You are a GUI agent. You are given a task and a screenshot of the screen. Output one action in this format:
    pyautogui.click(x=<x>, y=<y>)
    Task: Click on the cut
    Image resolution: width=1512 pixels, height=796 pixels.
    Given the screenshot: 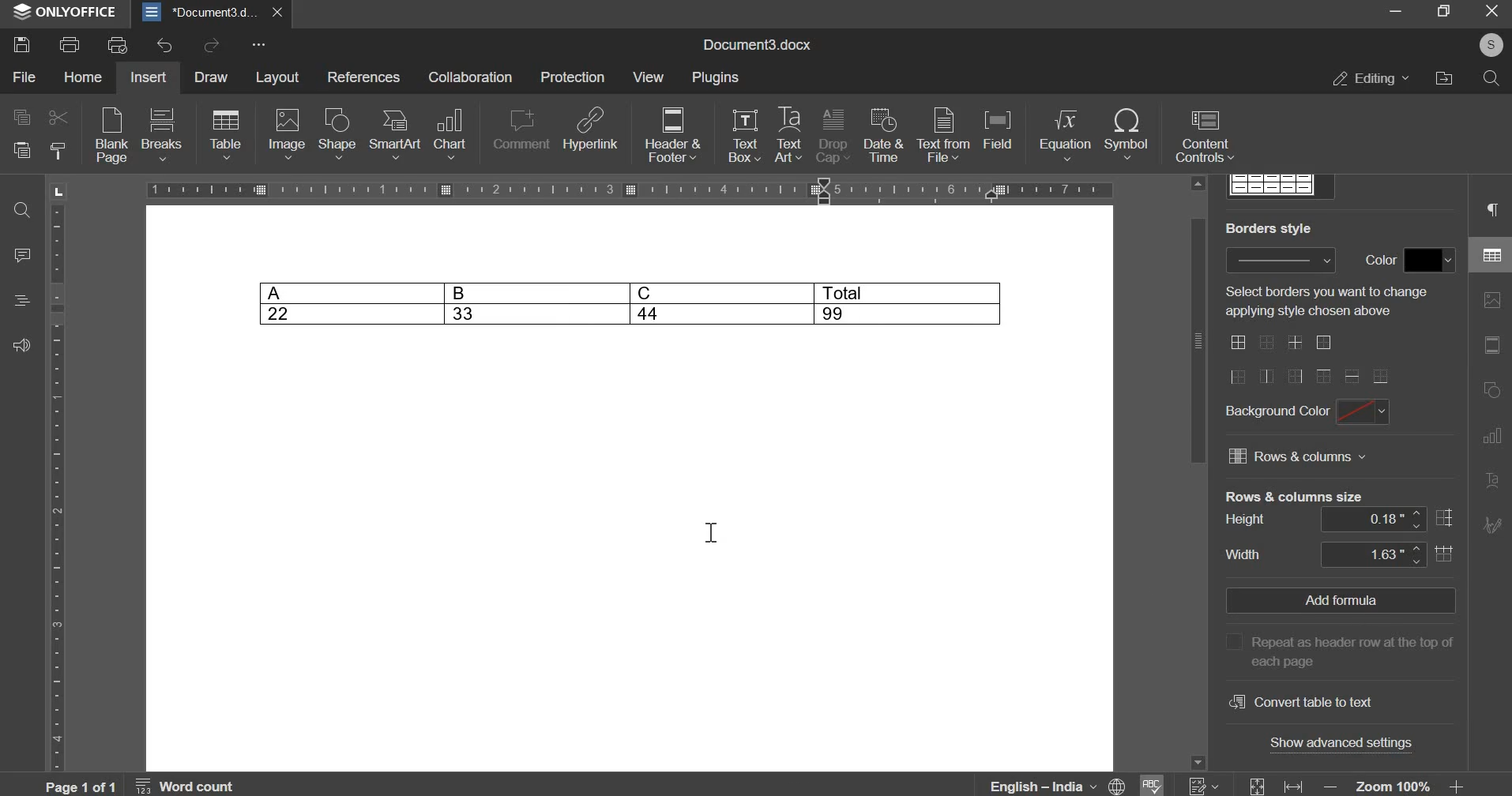 What is the action you would take?
    pyautogui.click(x=58, y=118)
    